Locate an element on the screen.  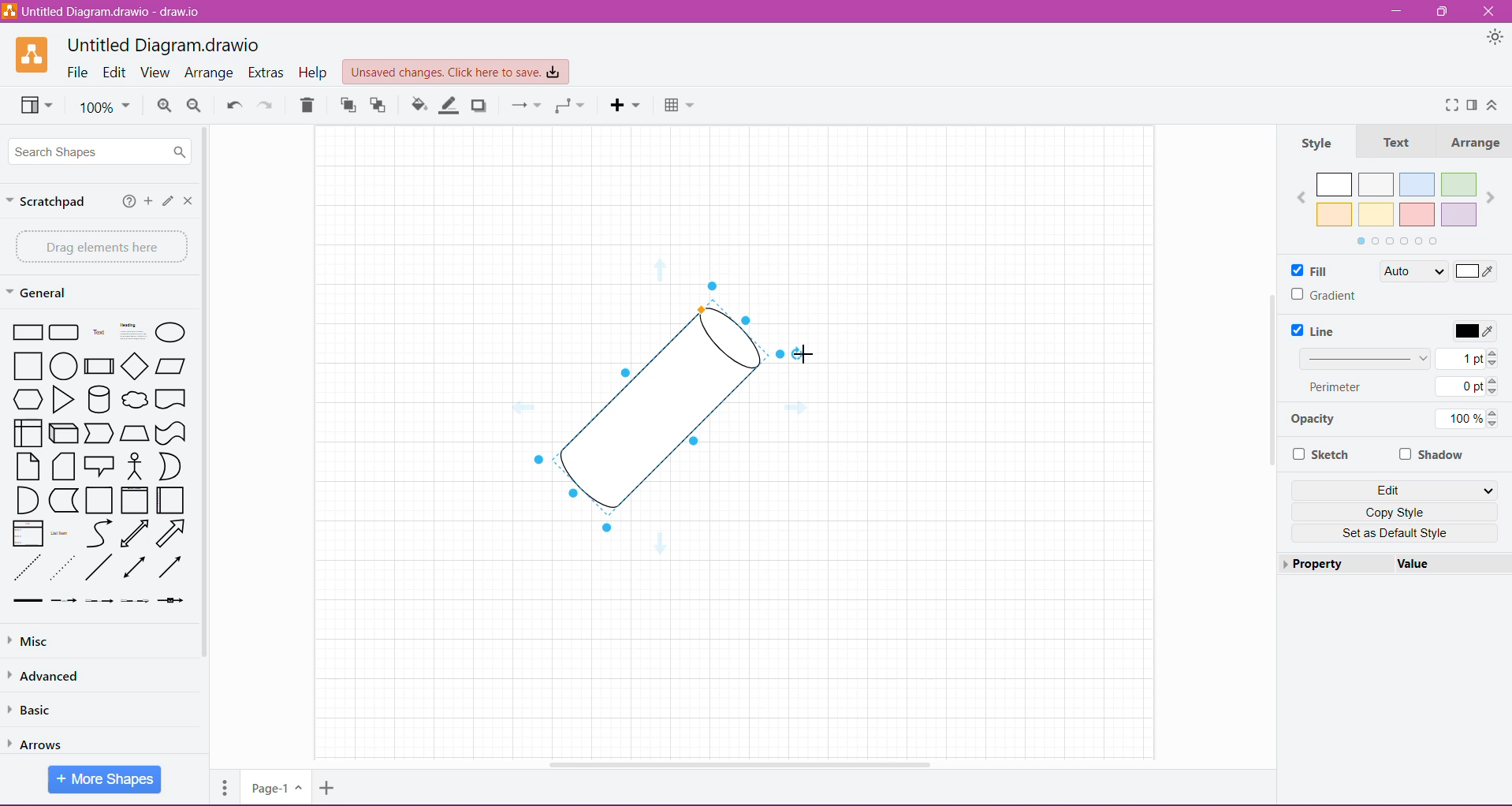
Redo is located at coordinates (268, 106).